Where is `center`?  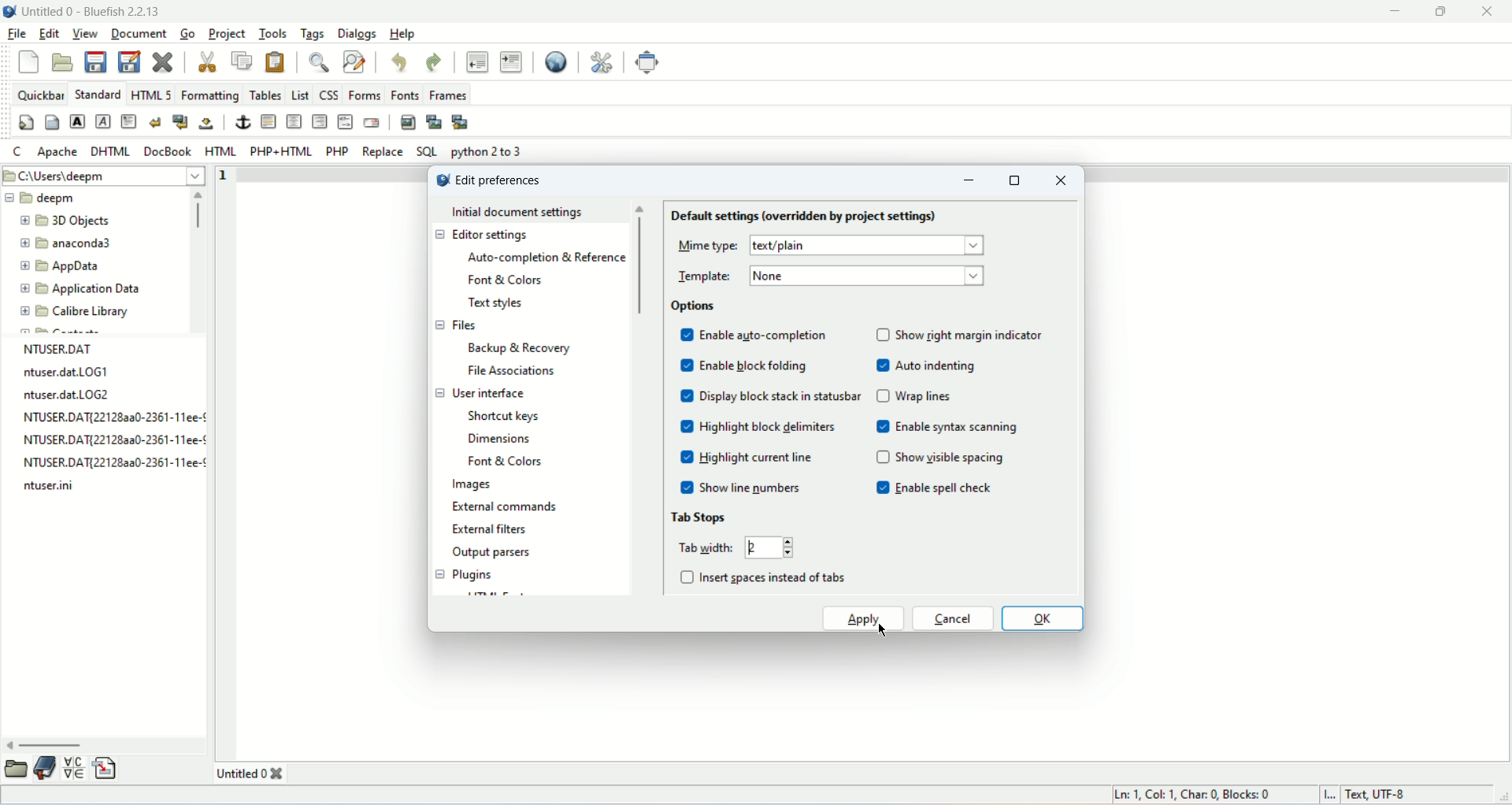
center is located at coordinates (293, 121).